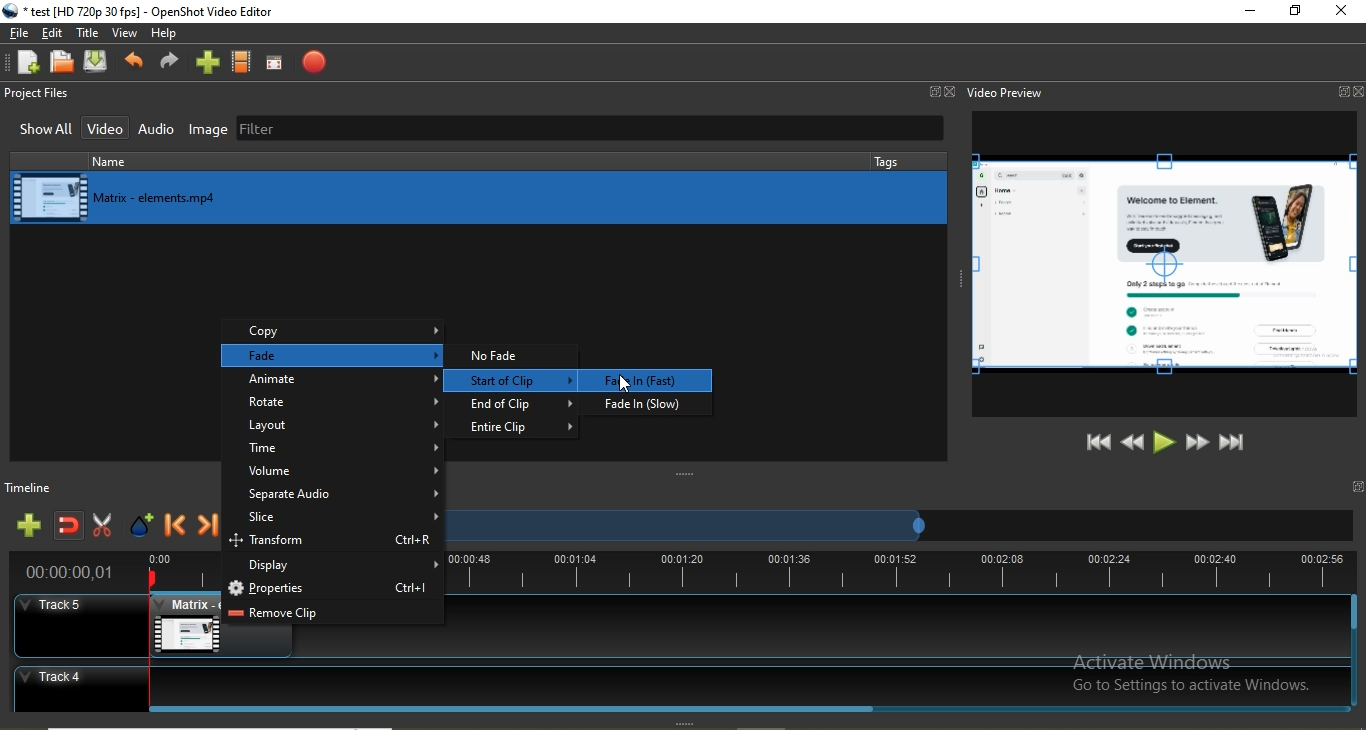 This screenshot has height=730, width=1366. What do you see at coordinates (524, 406) in the screenshot?
I see `end of clip` at bounding box center [524, 406].